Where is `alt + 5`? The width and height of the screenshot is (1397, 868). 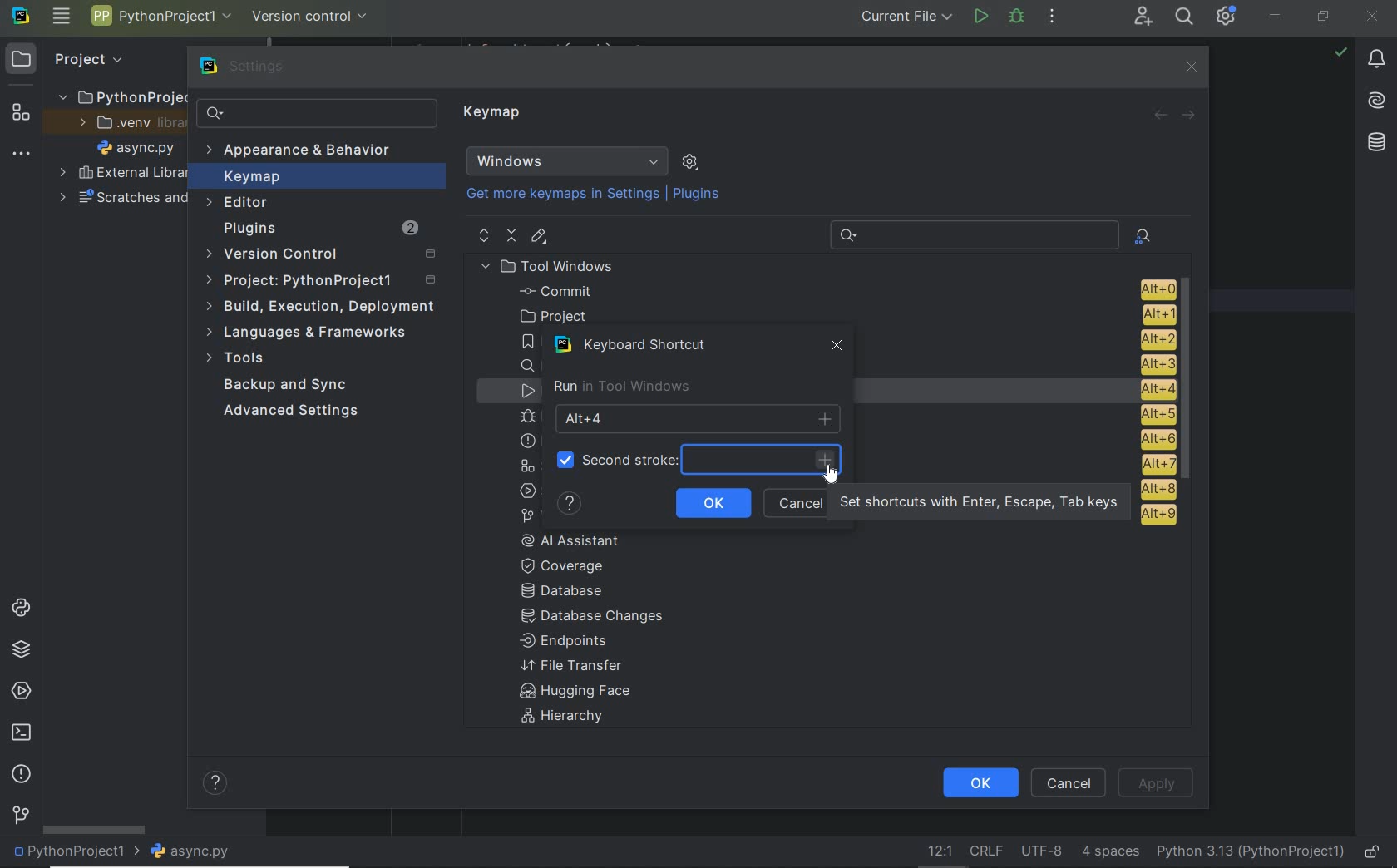 alt + 5 is located at coordinates (1155, 415).